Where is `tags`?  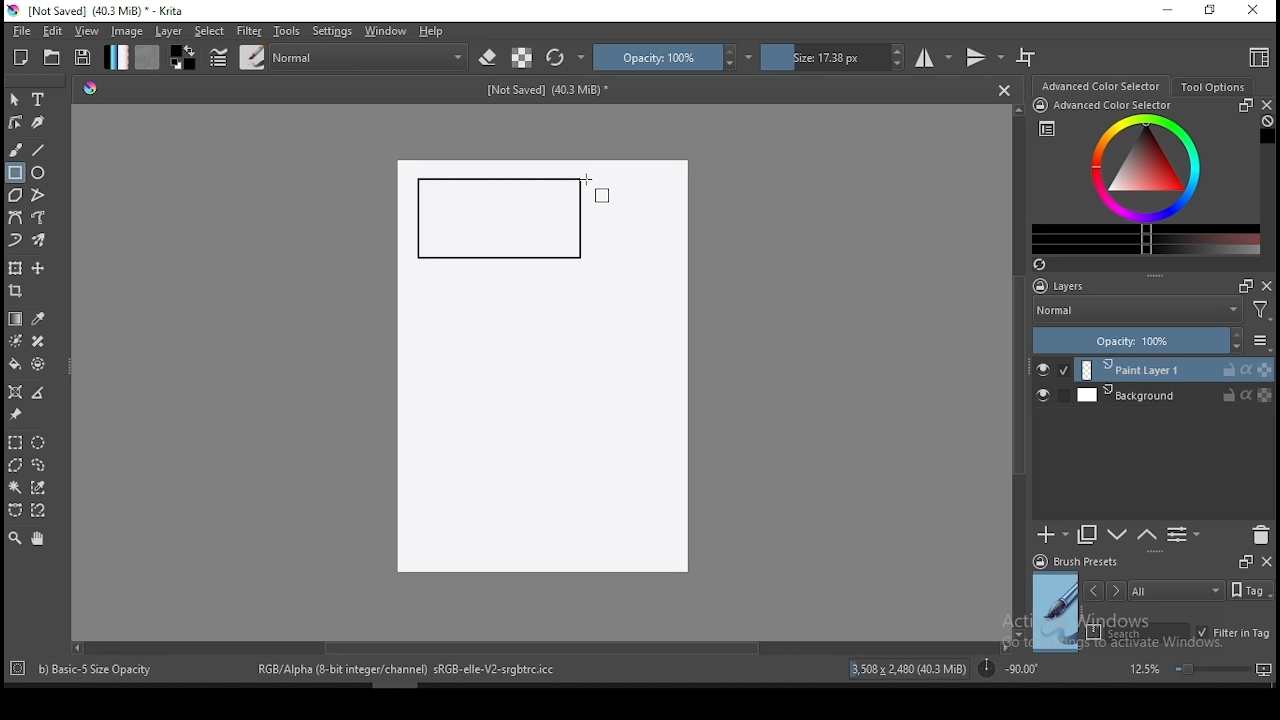 tags is located at coordinates (1176, 590).